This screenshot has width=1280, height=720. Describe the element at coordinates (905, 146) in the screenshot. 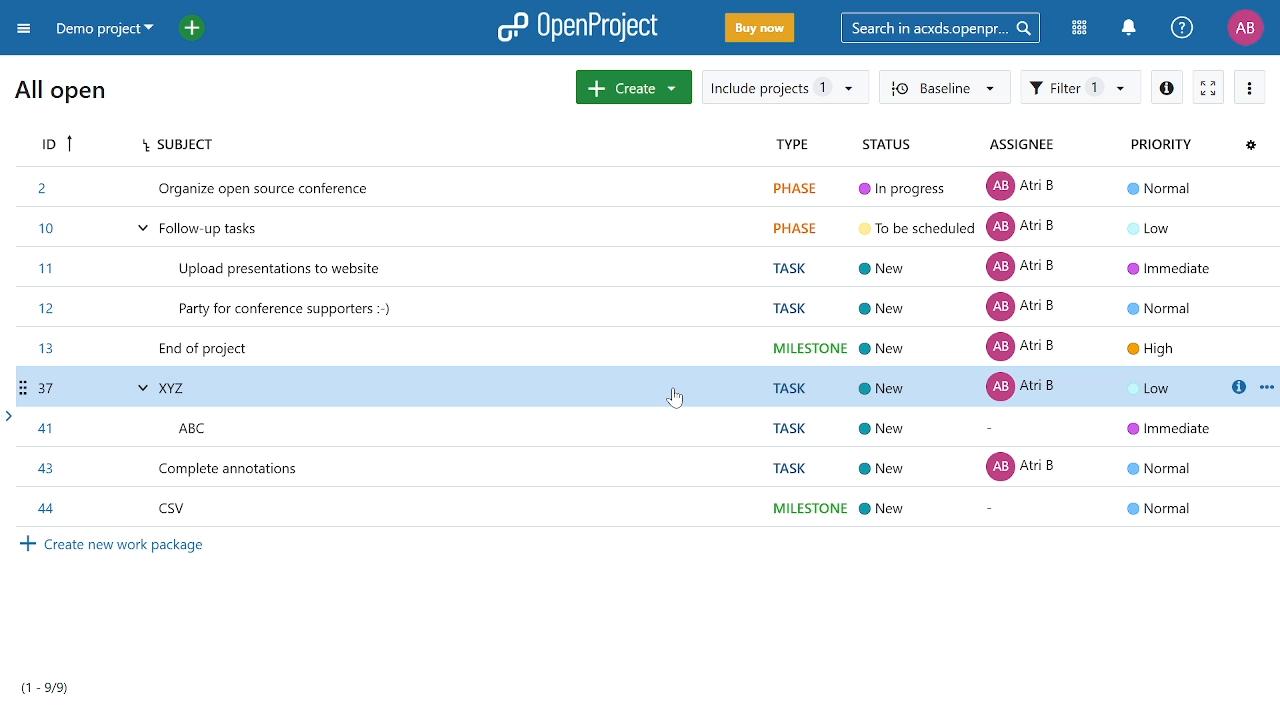

I see `Status` at that location.